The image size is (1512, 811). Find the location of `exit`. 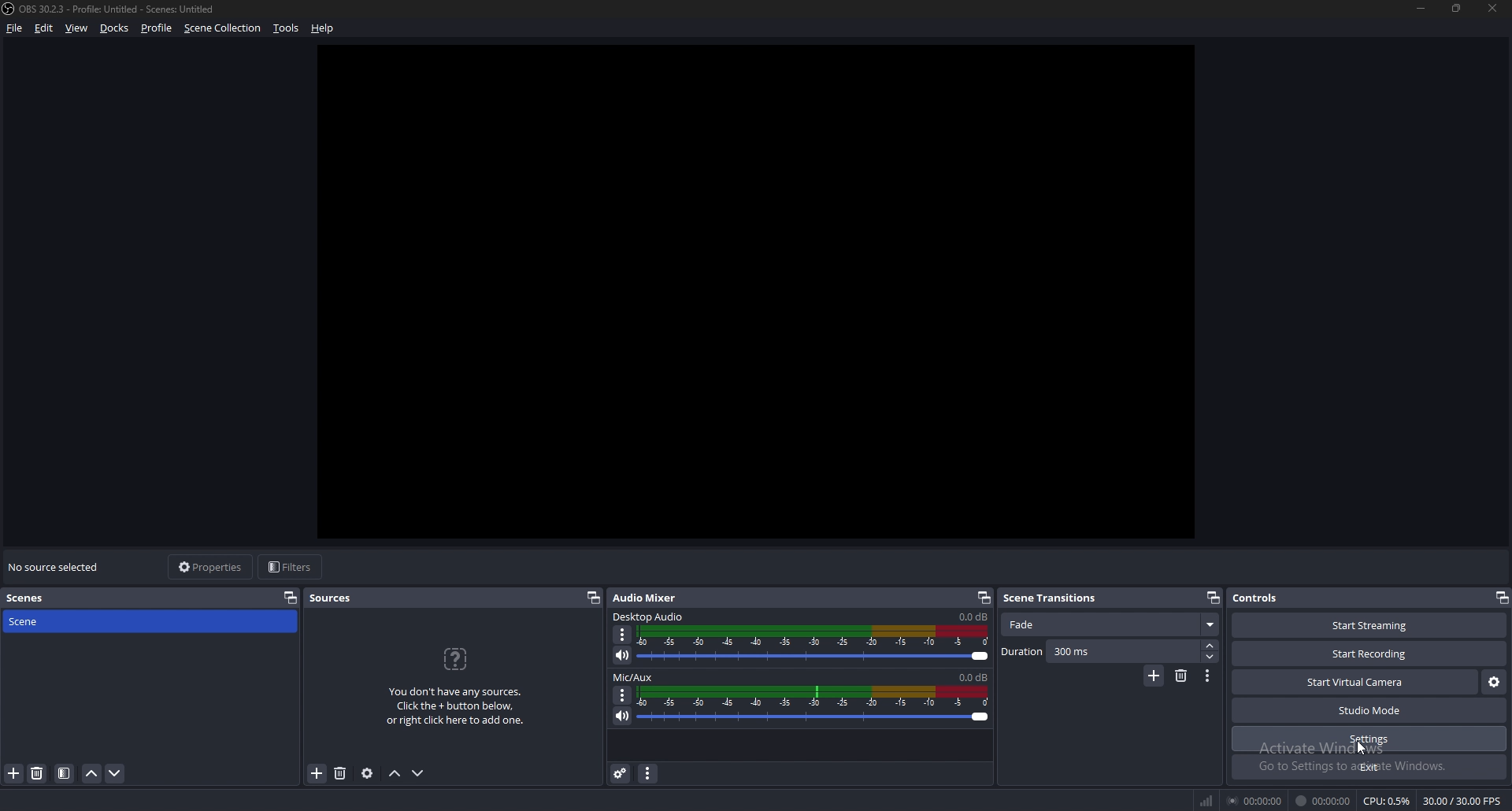

exit is located at coordinates (1370, 767).